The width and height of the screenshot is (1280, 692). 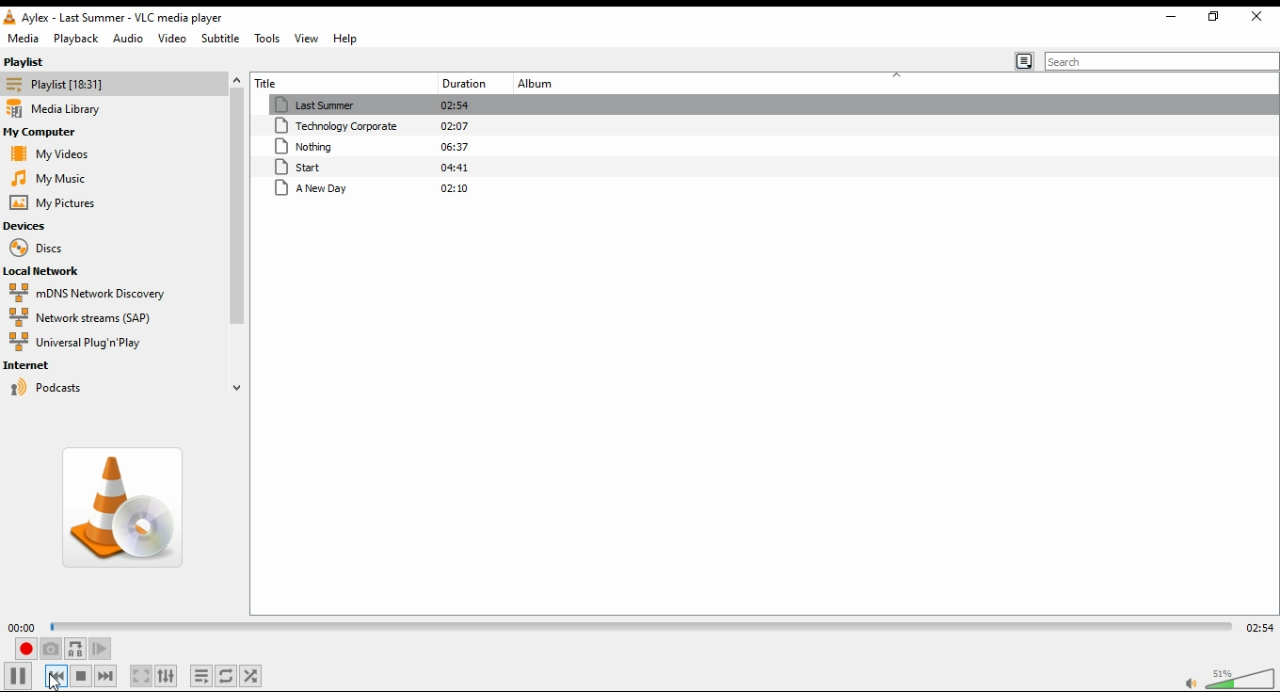 What do you see at coordinates (1214, 16) in the screenshot?
I see `restore` at bounding box center [1214, 16].